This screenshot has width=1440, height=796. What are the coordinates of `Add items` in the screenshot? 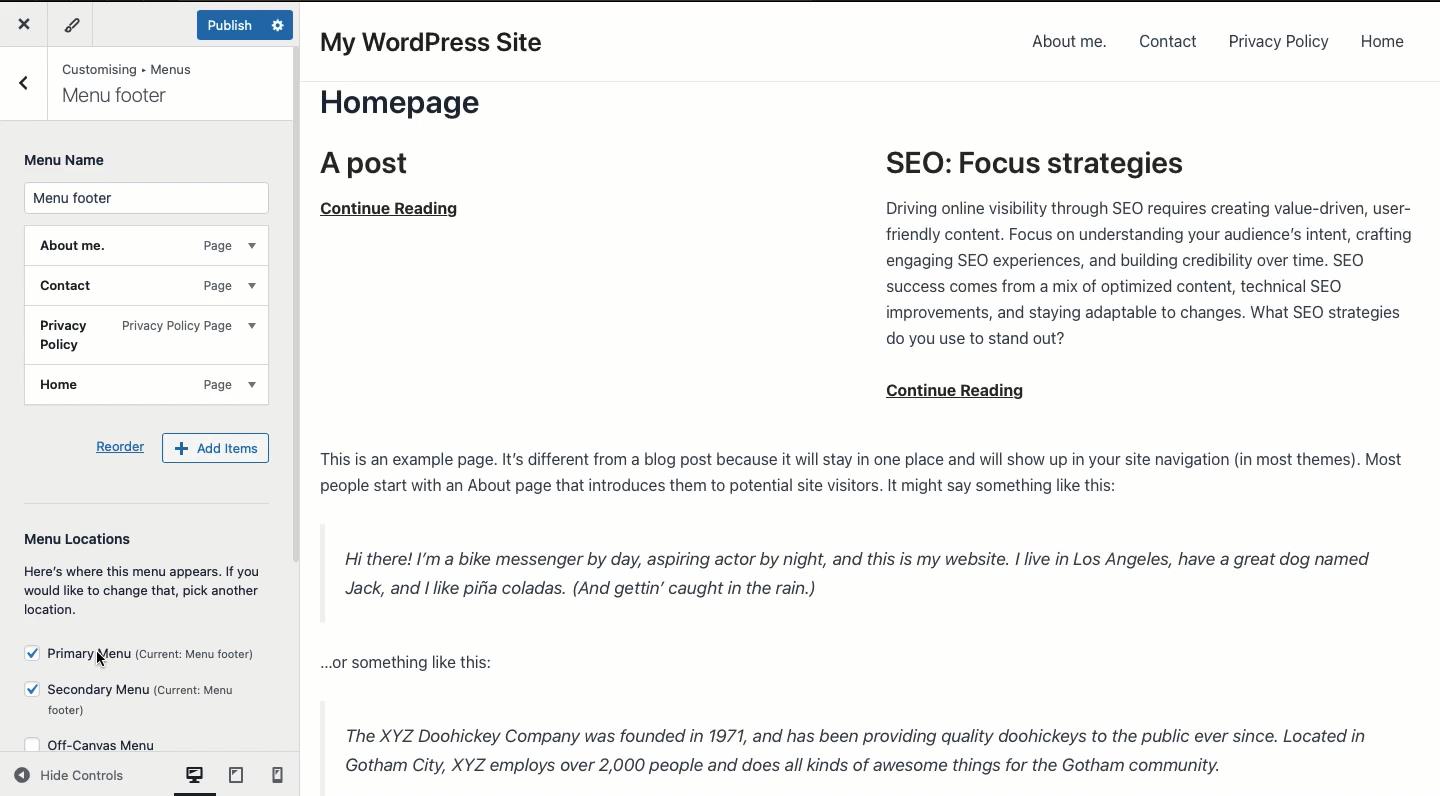 It's located at (217, 448).